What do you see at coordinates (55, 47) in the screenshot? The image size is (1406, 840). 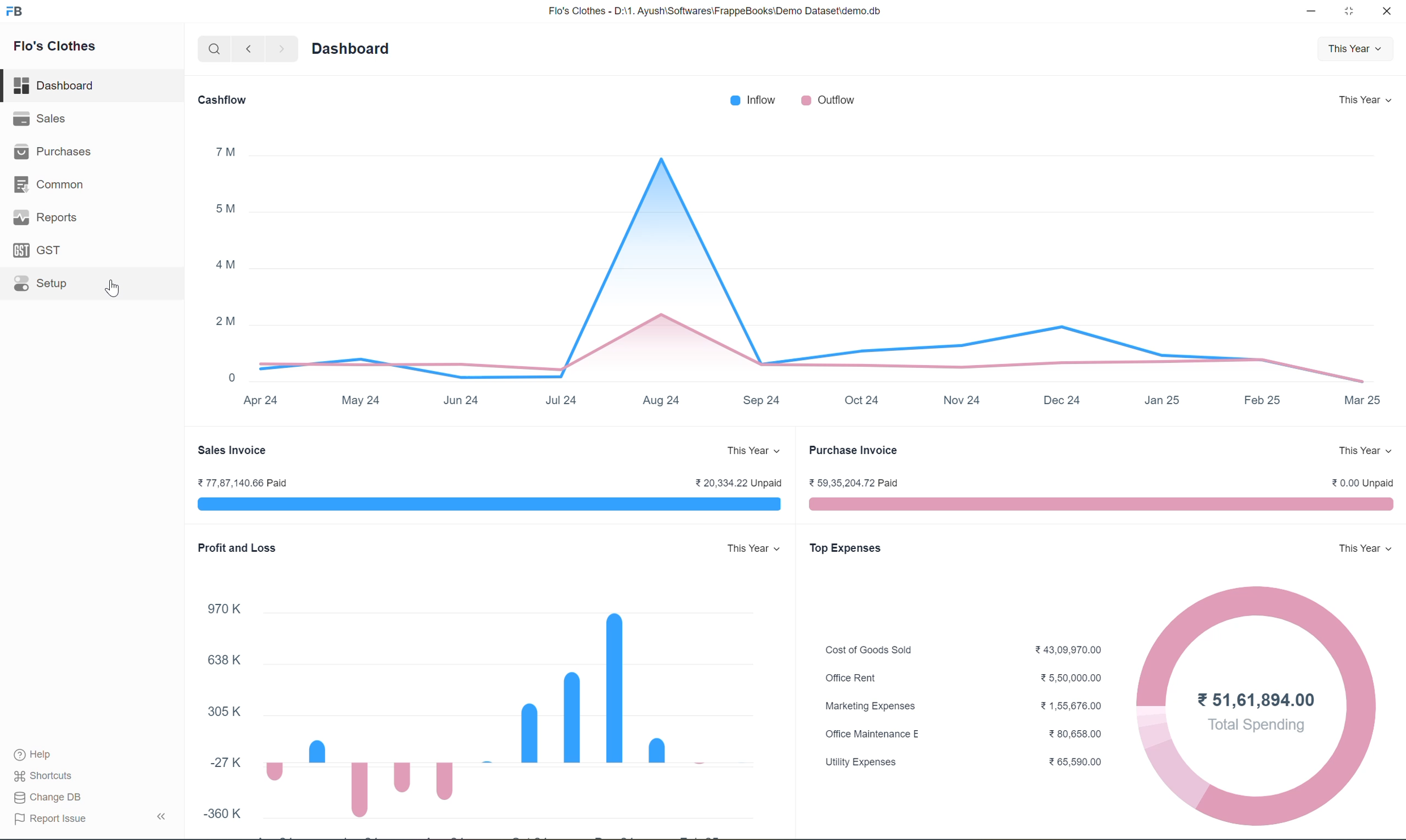 I see `Flo's Clothes` at bounding box center [55, 47].